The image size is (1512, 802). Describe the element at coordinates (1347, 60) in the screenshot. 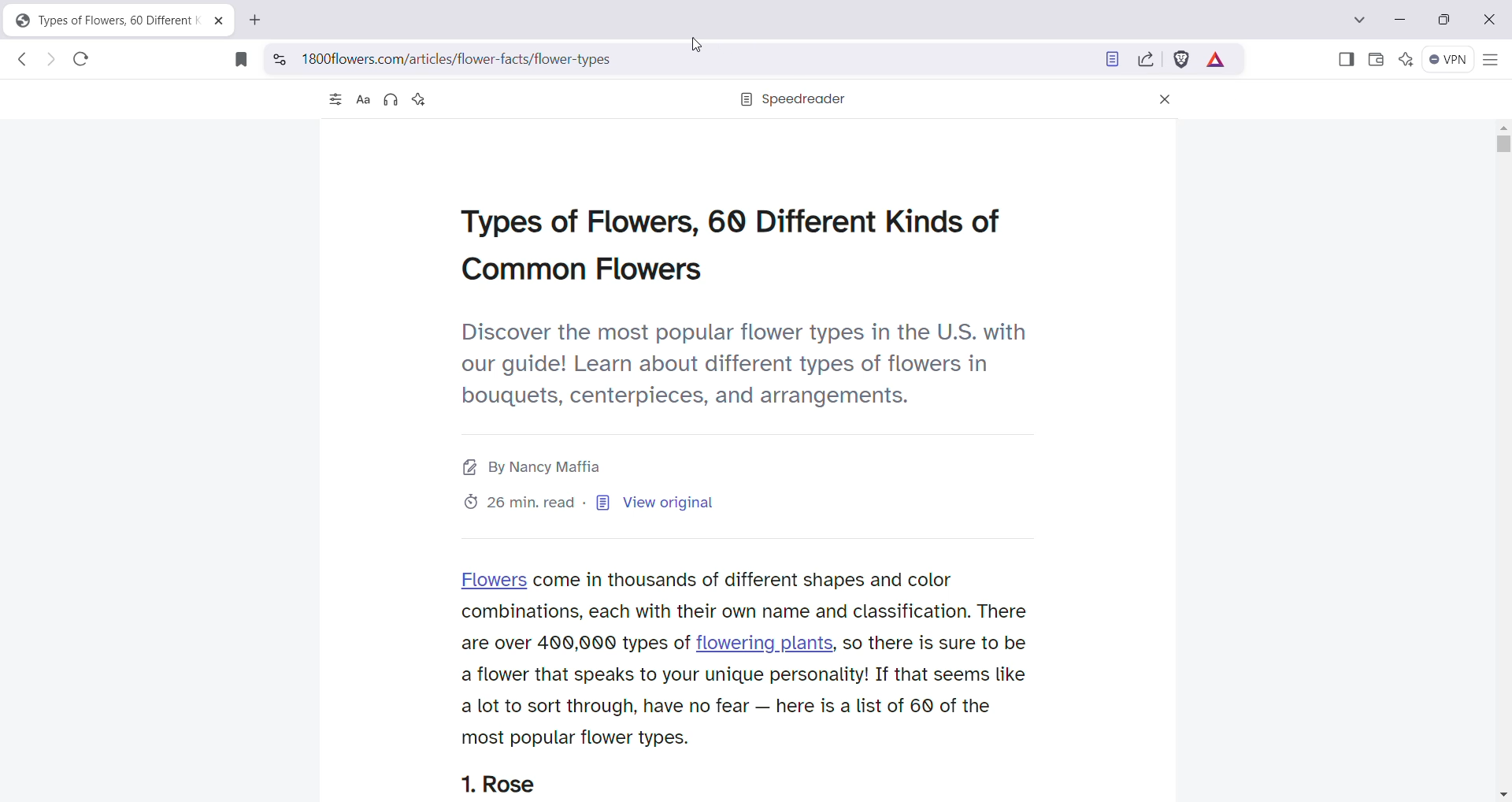

I see `Show Sidebar` at that location.